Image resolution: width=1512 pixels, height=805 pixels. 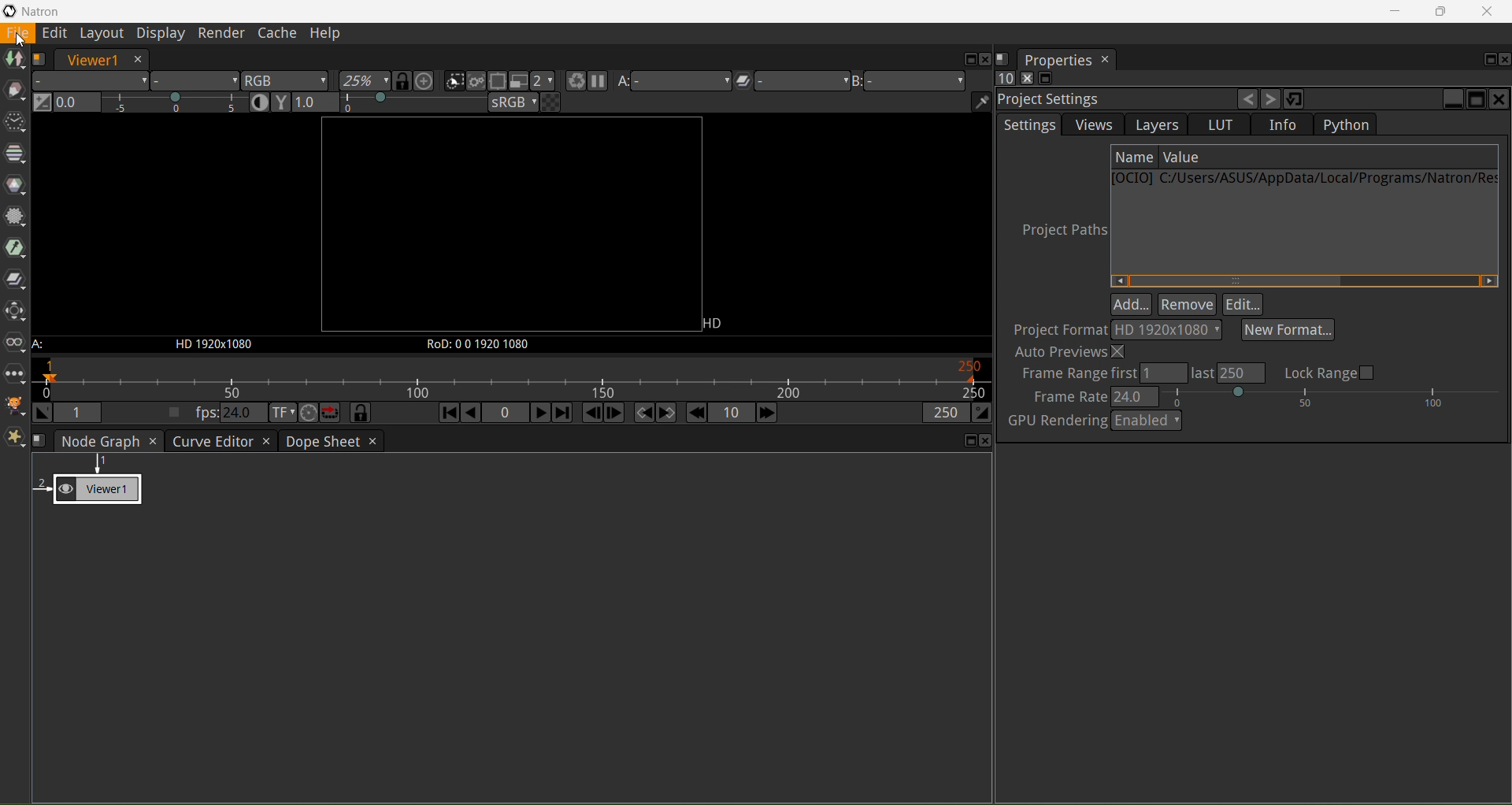 What do you see at coordinates (1046, 78) in the screenshot?
I see `Minimize/Maximize all panels` at bounding box center [1046, 78].